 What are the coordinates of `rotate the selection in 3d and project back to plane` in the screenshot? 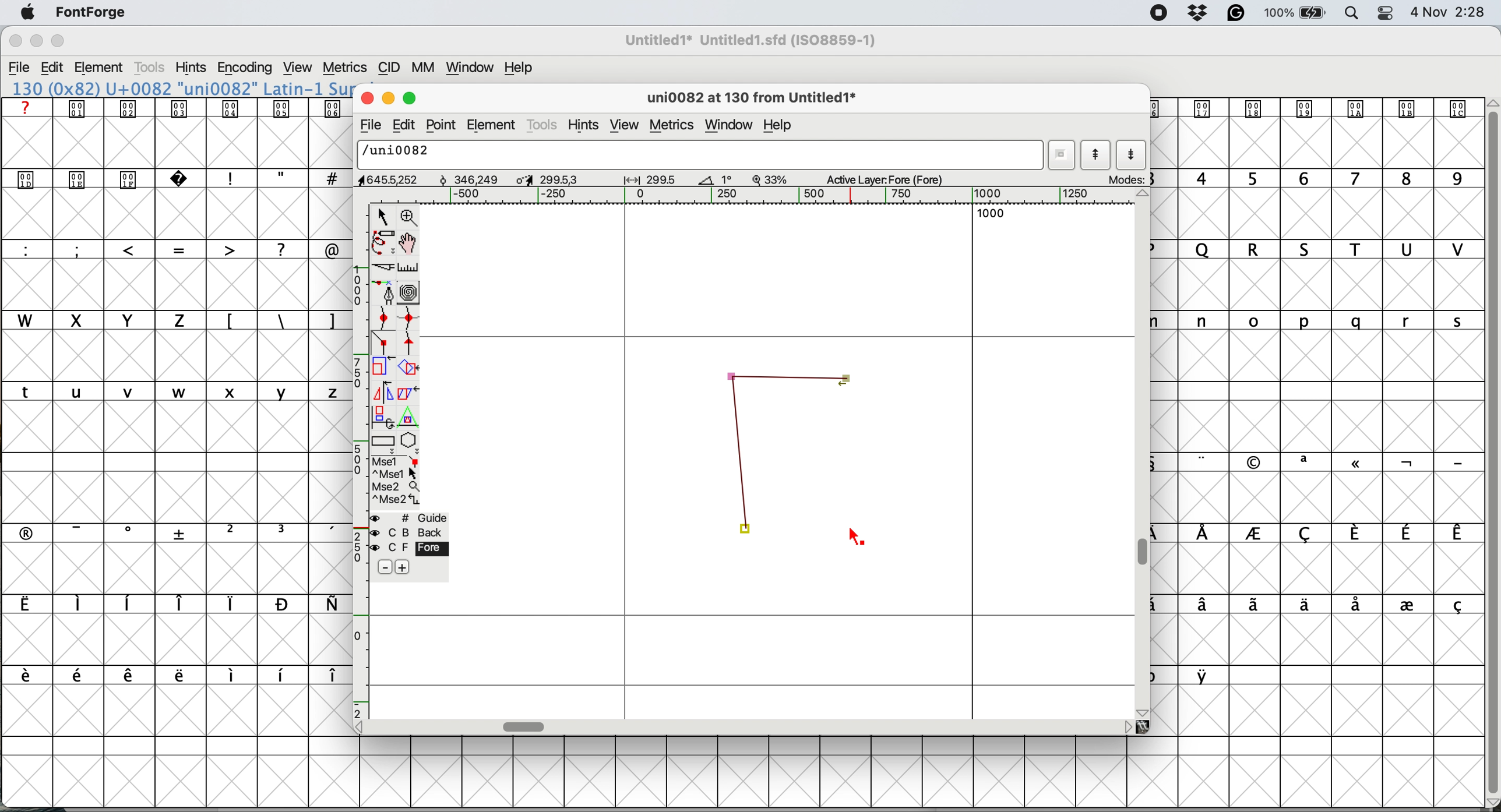 It's located at (382, 416).